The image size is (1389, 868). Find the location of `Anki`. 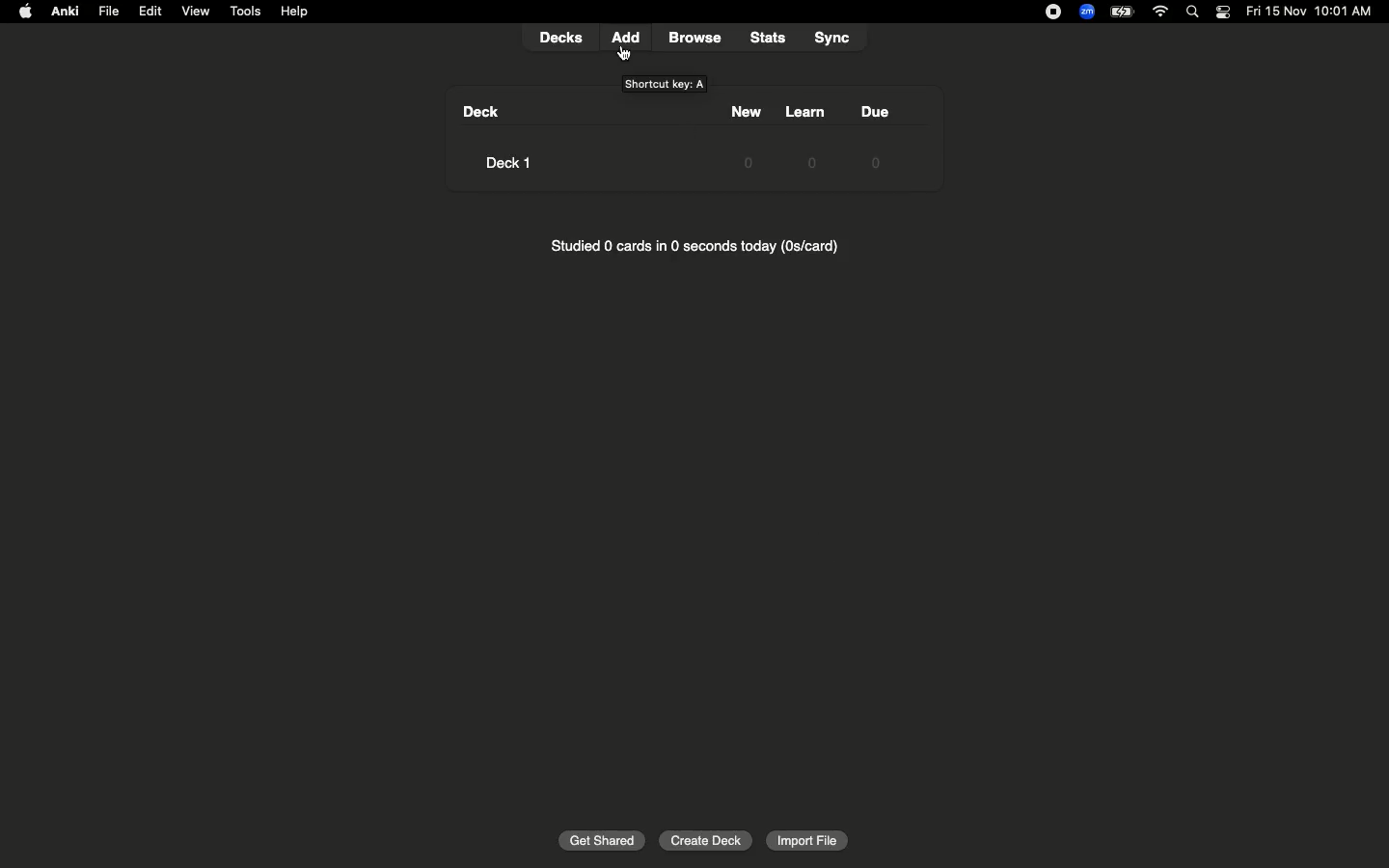

Anki is located at coordinates (64, 13).